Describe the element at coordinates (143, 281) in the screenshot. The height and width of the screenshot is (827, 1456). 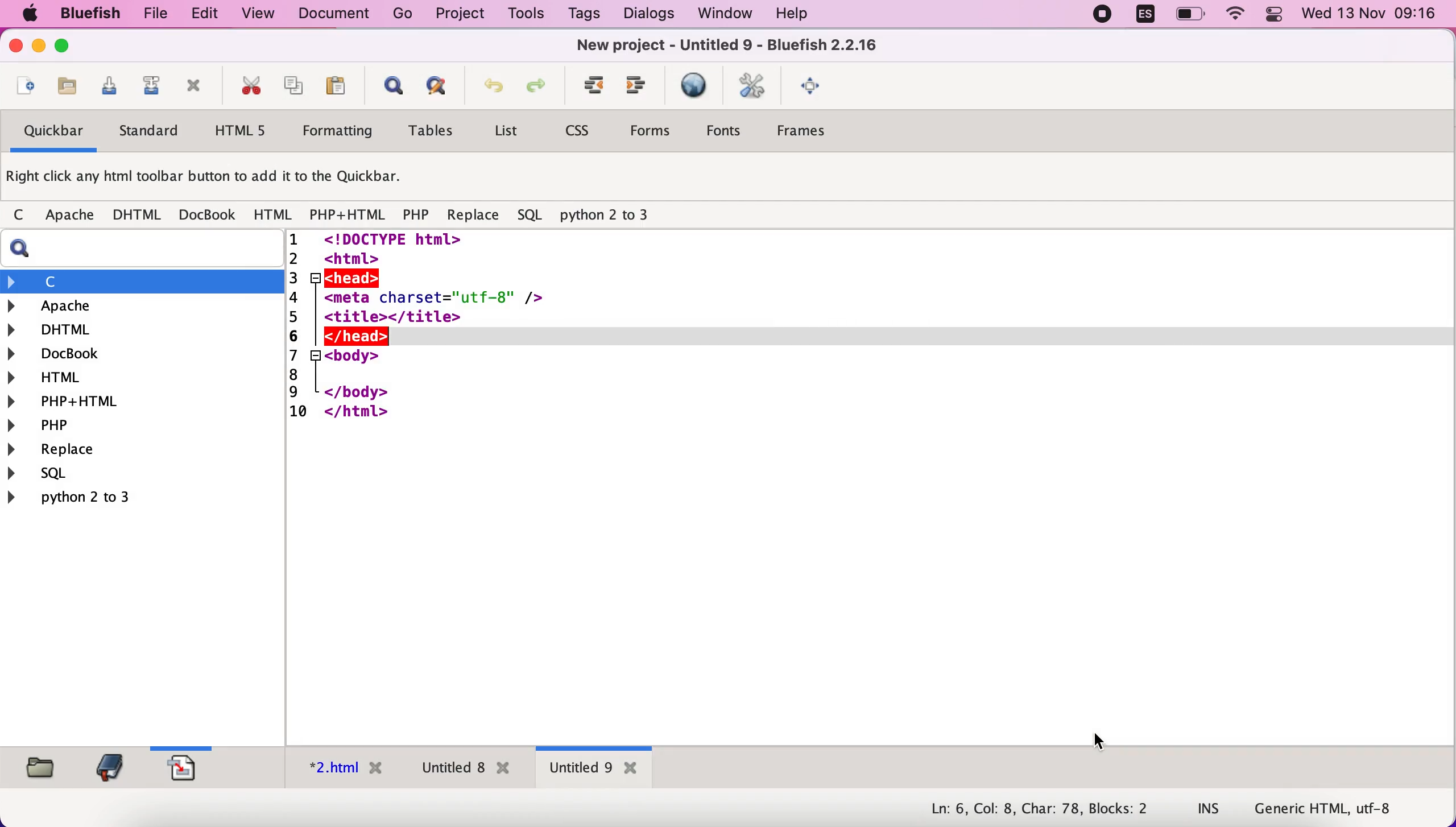
I see `c` at that location.